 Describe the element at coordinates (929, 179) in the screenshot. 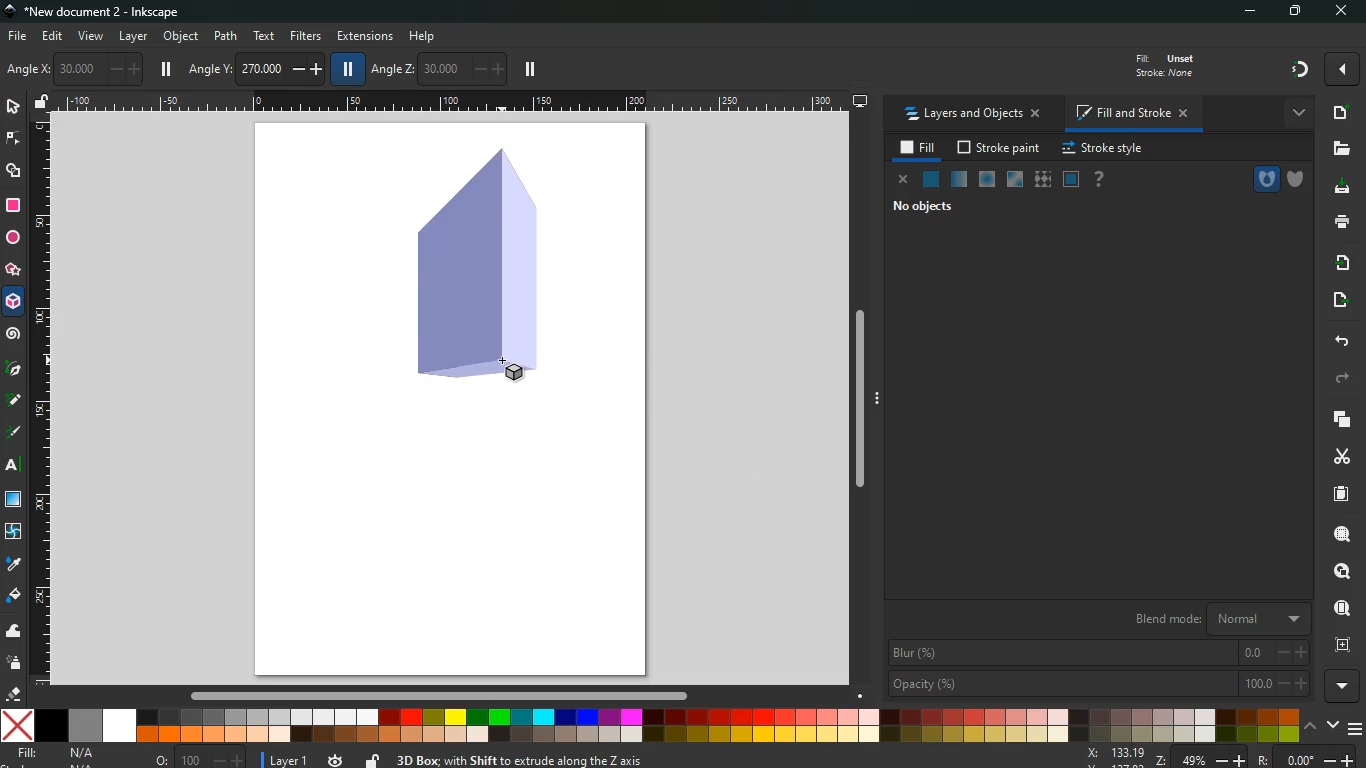

I see `normal` at that location.